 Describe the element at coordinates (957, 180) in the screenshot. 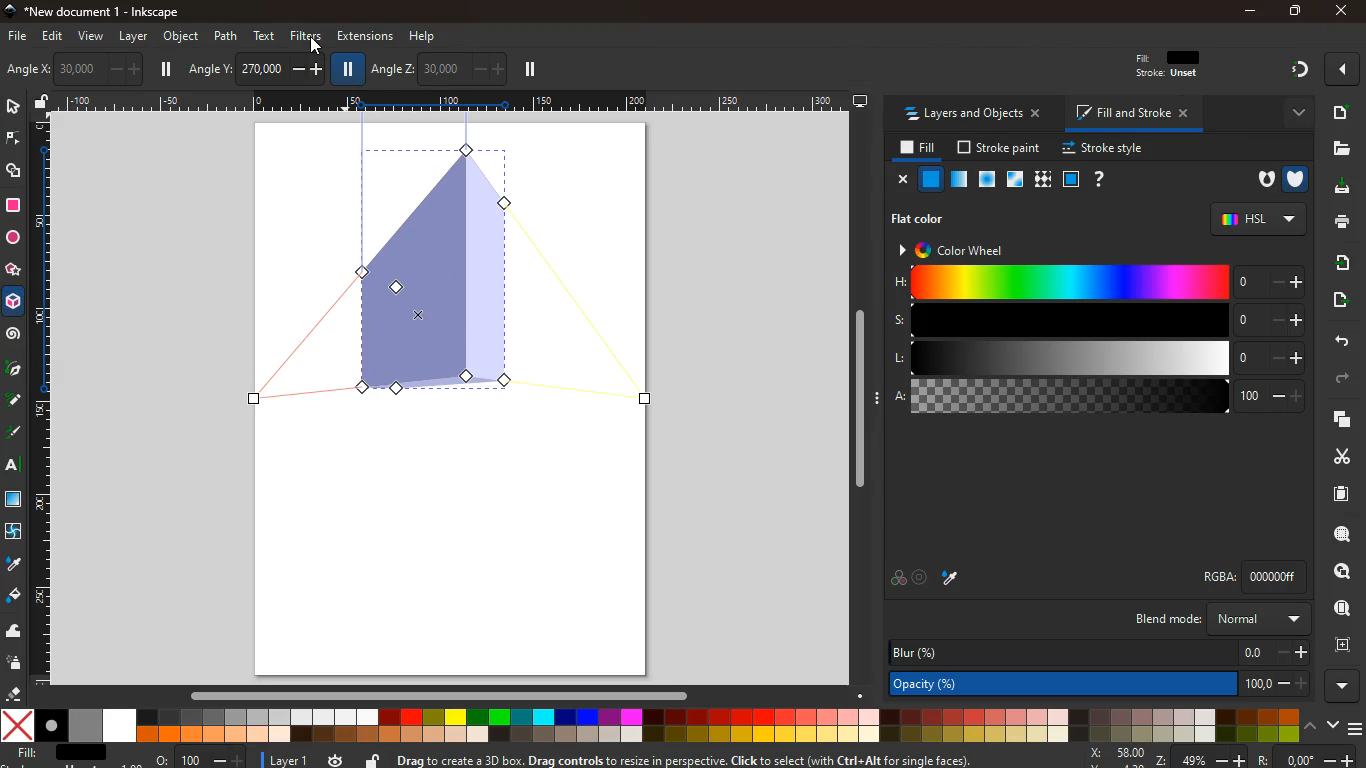

I see `opacity` at that location.